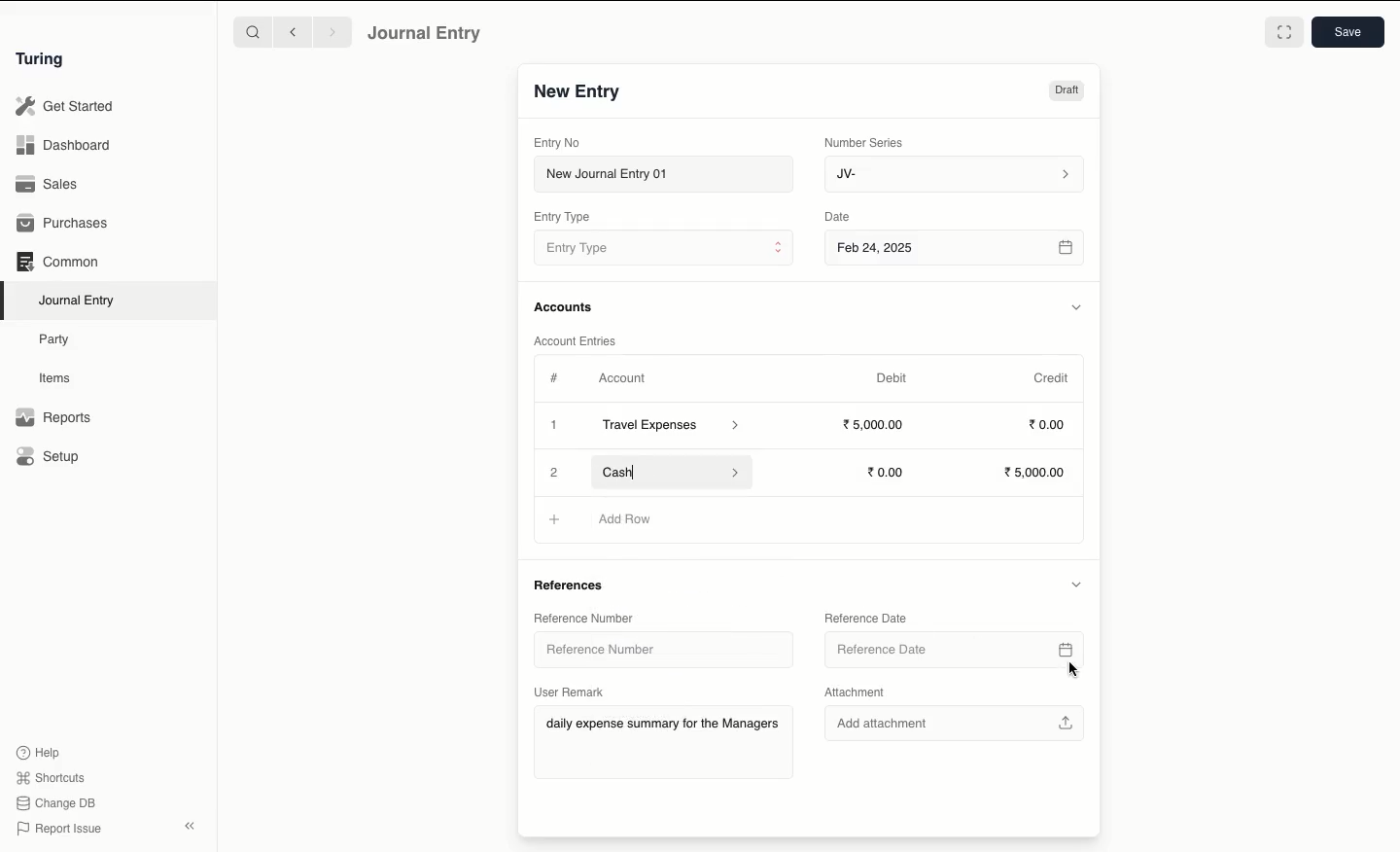  Describe the element at coordinates (955, 652) in the screenshot. I see `Reference Date` at that location.